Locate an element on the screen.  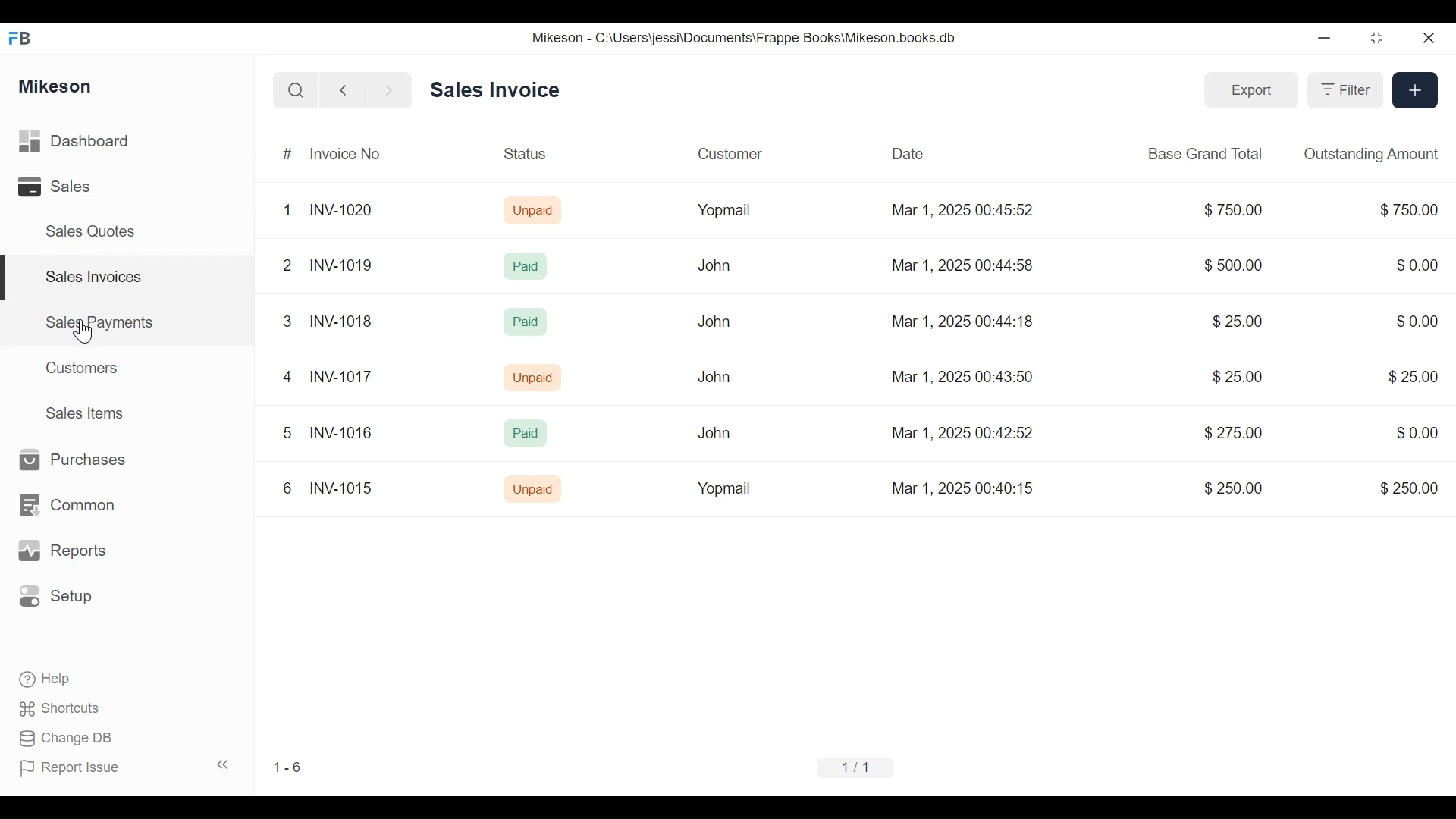
Help is located at coordinates (56, 679).